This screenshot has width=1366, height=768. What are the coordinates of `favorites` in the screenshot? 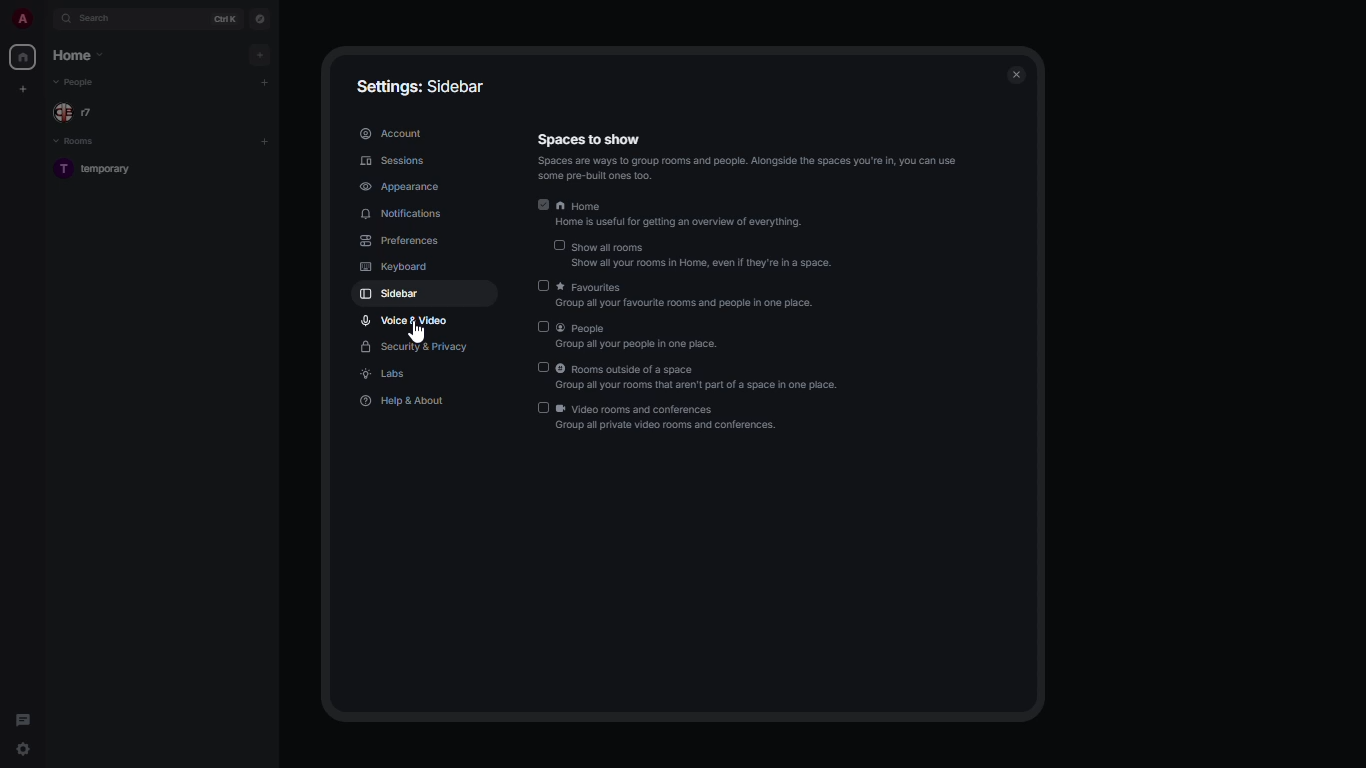 It's located at (691, 298).